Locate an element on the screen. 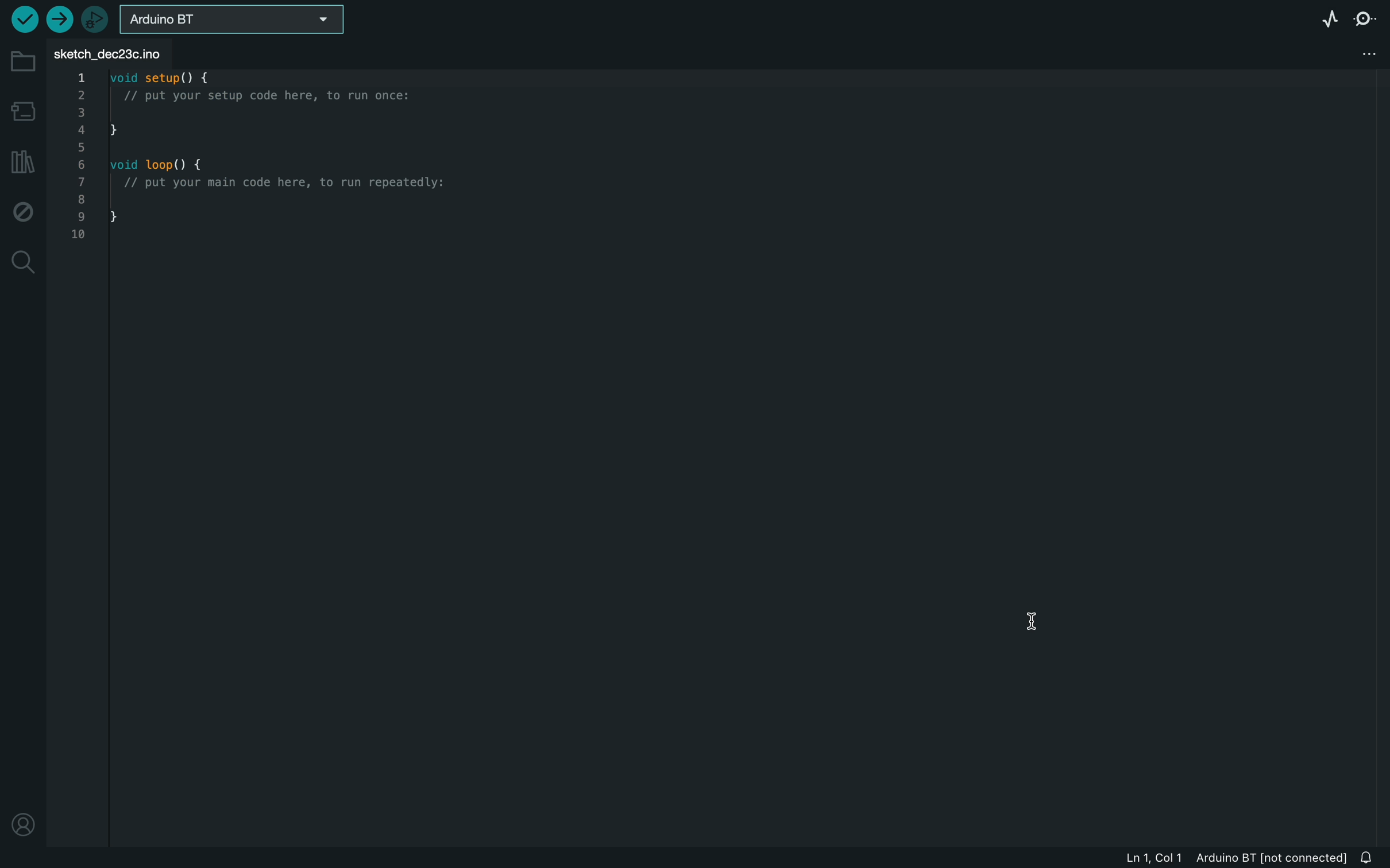 Image resolution: width=1390 pixels, height=868 pixels. board selector is located at coordinates (232, 22).